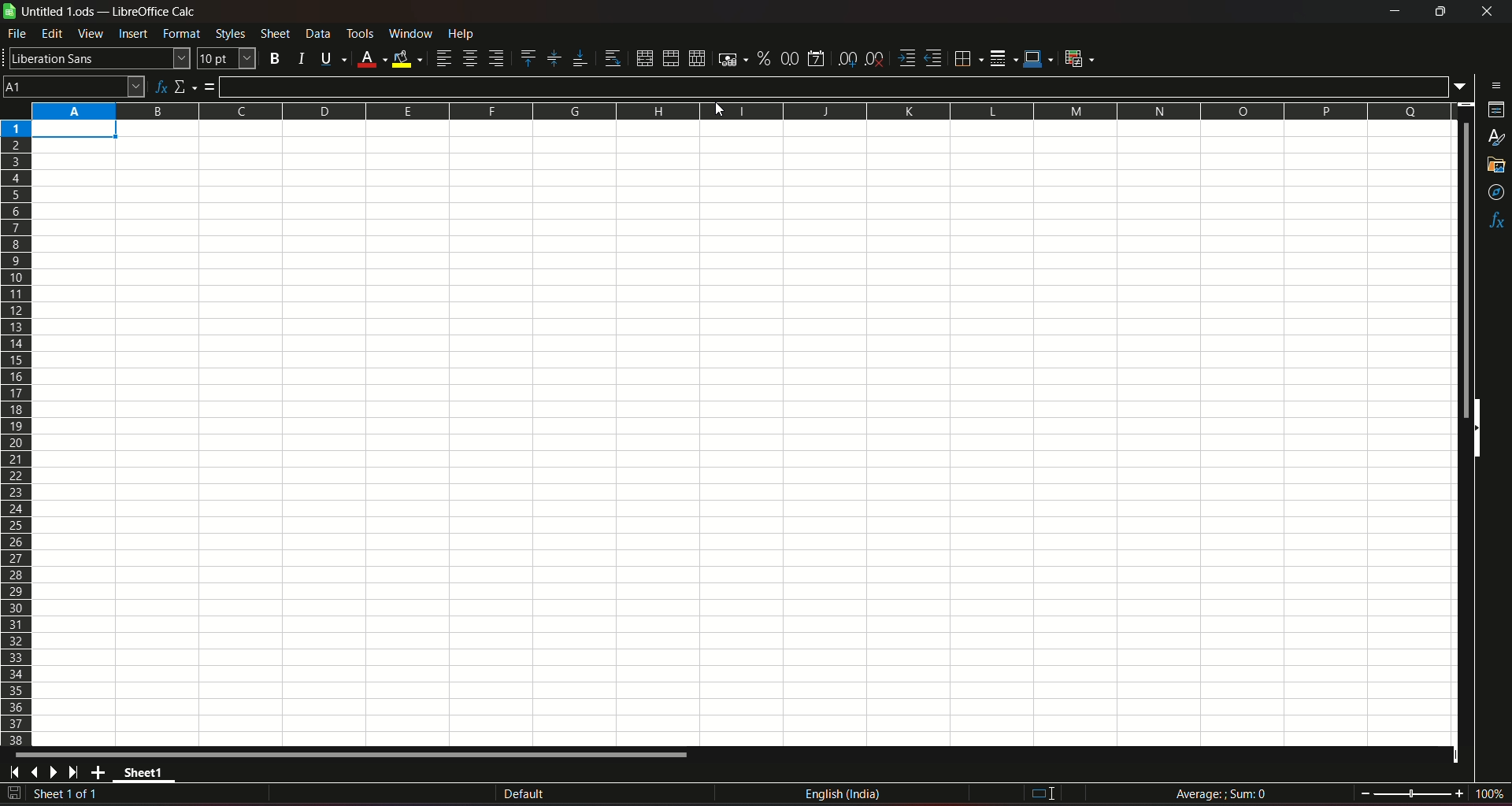  I want to click on add decimal point, so click(849, 59).